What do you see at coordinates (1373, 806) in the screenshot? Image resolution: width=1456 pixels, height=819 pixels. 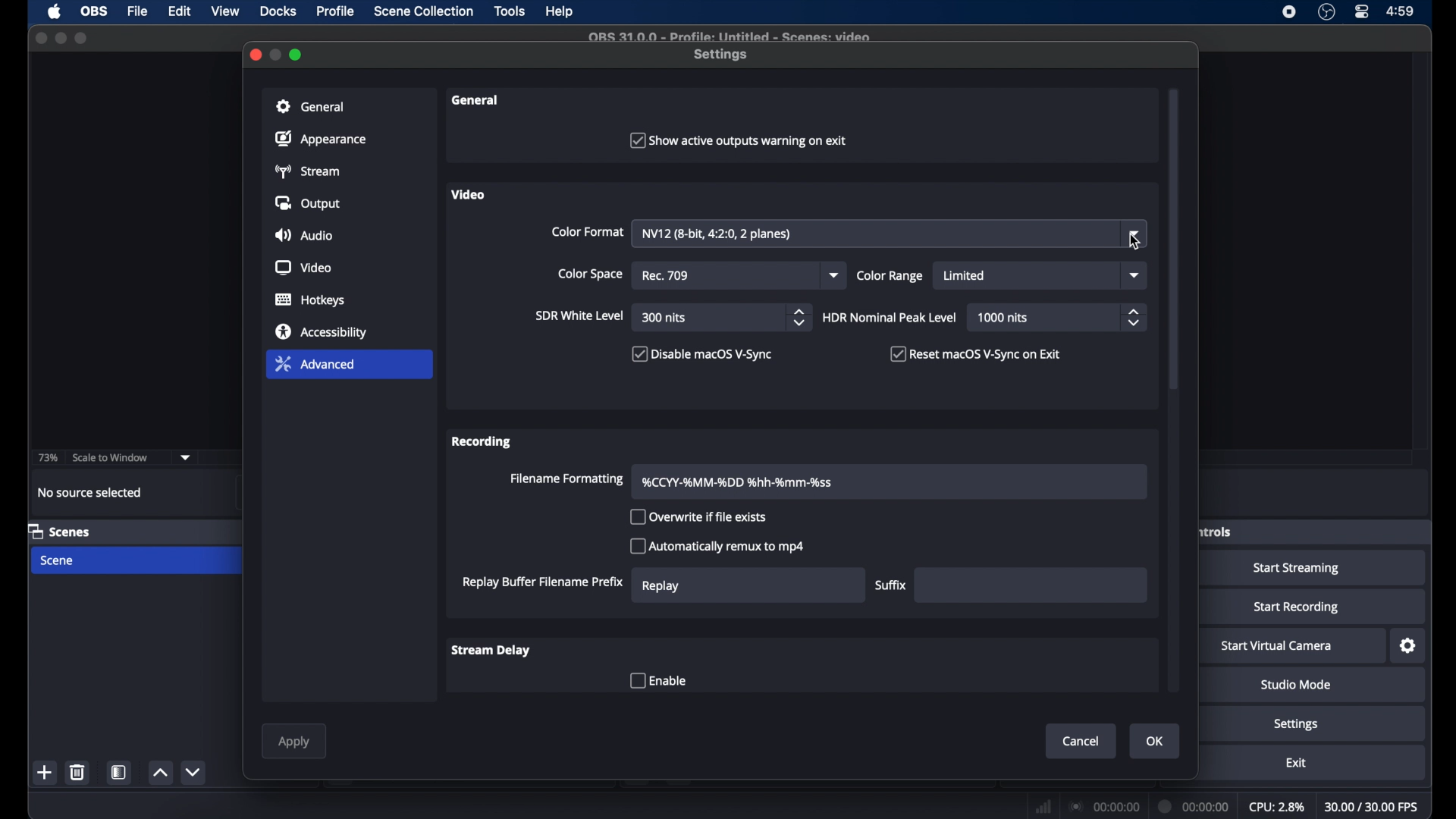 I see `30.00/30.00 fps` at bounding box center [1373, 806].